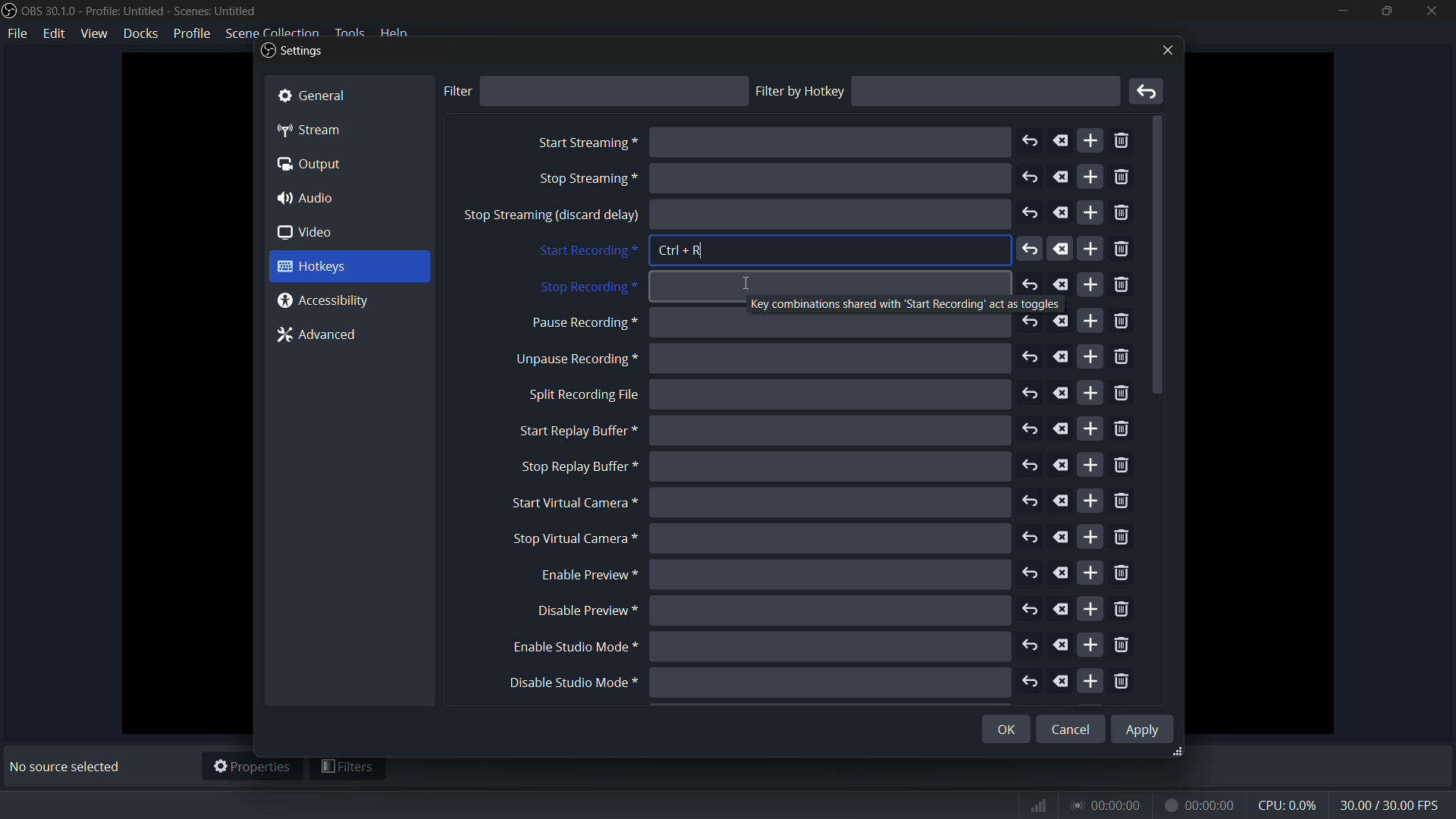  Describe the element at coordinates (1031, 322) in the screenshot. I see `undo` at that location.